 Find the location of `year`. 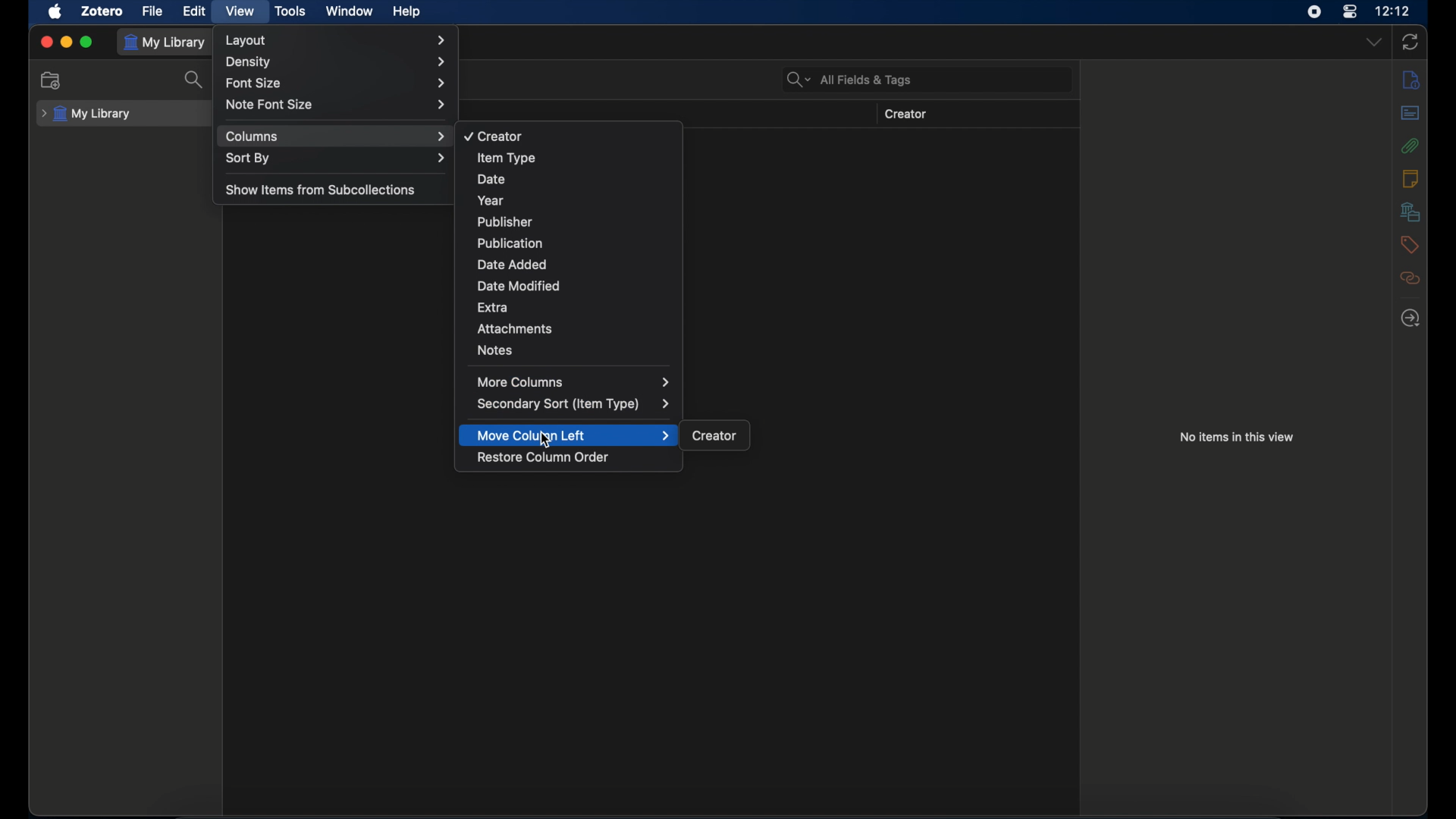

year is located at coordinates (488, 200).